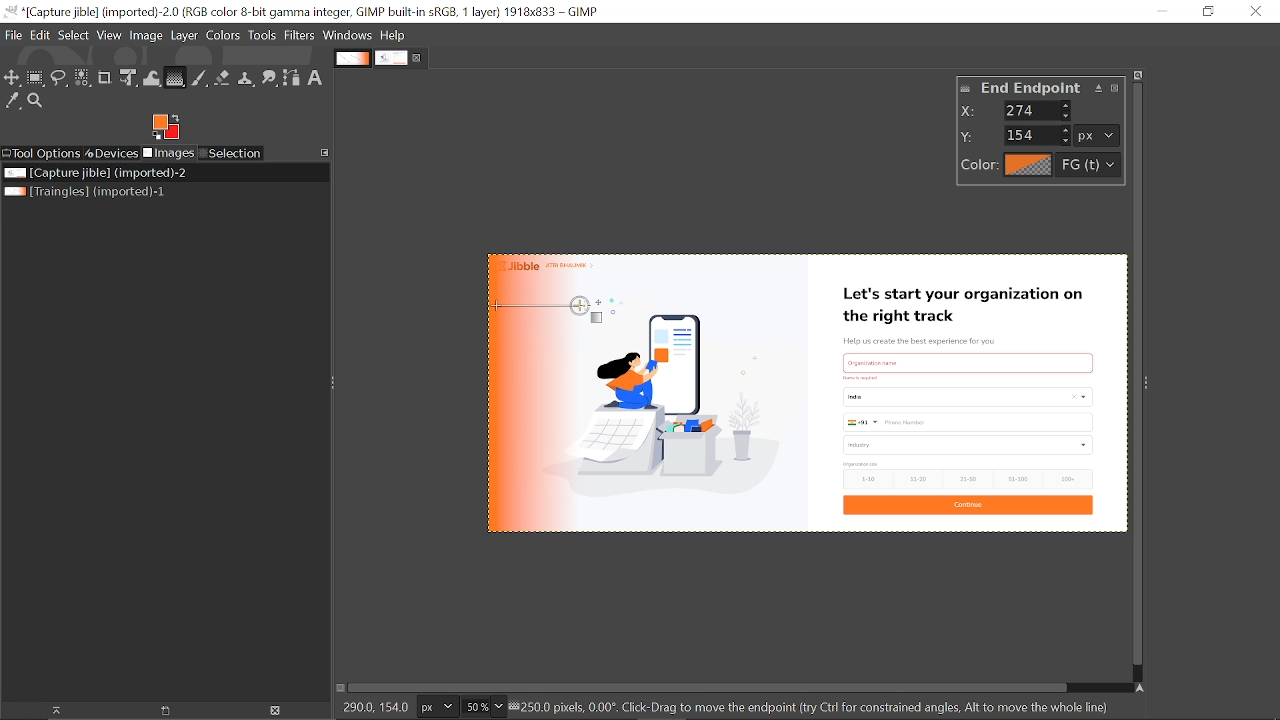  Describe the element at coordinates (291, 78) in the screenshot. I see `Path tool` at that location.